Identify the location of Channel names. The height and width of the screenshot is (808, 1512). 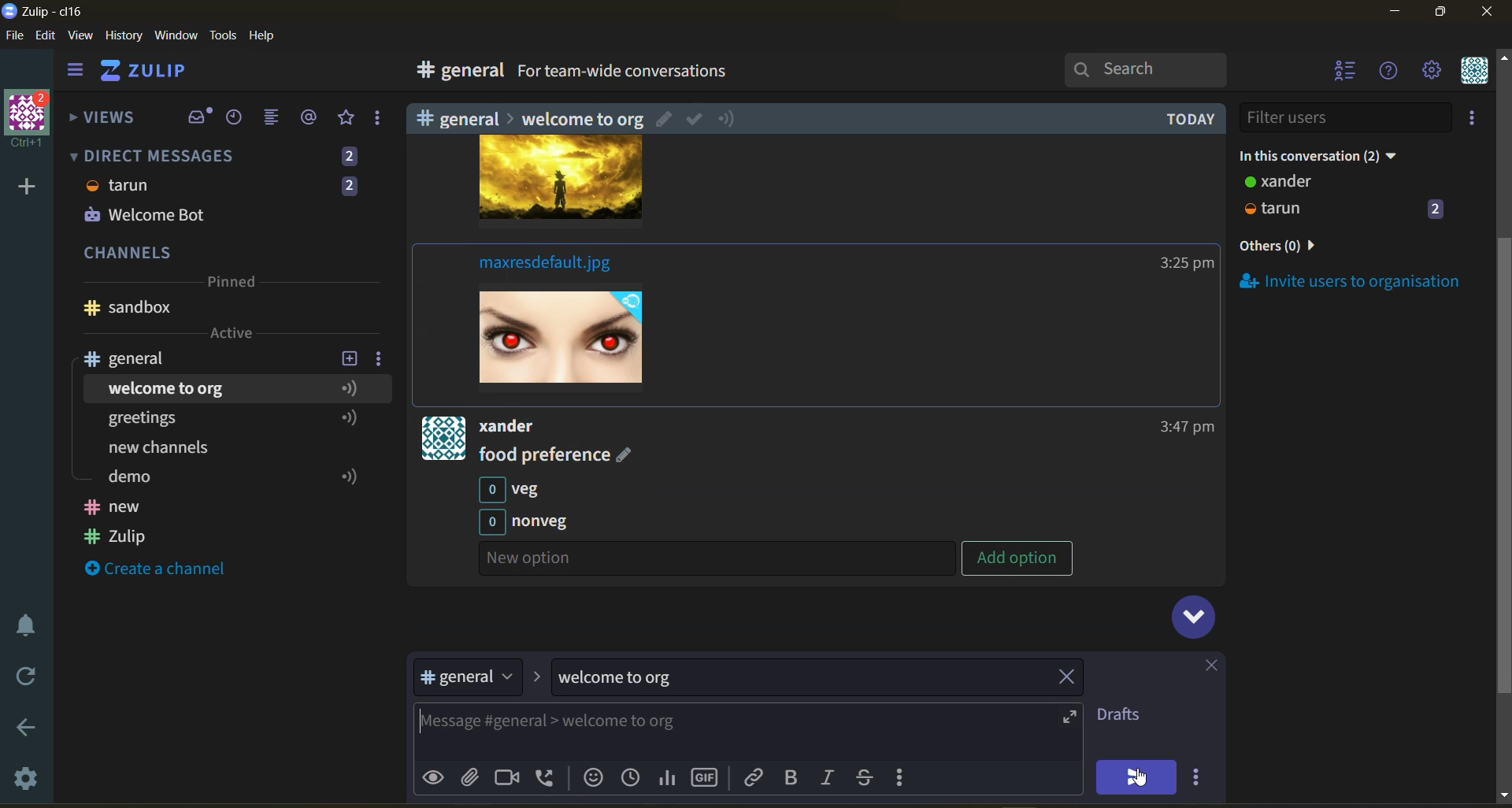
(118, 524).